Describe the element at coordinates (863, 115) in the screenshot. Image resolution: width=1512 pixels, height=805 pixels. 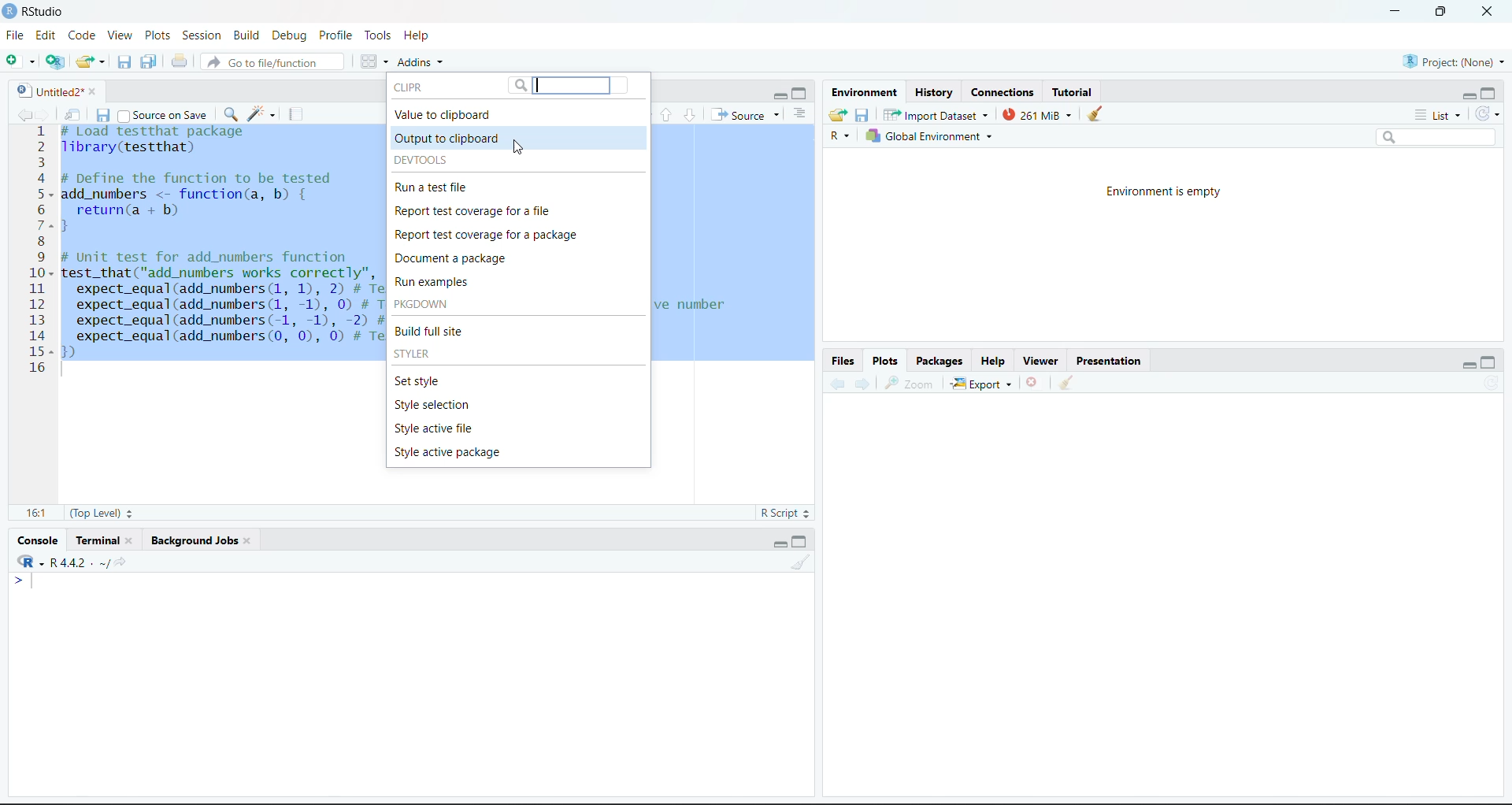
I see `Save` at that location.